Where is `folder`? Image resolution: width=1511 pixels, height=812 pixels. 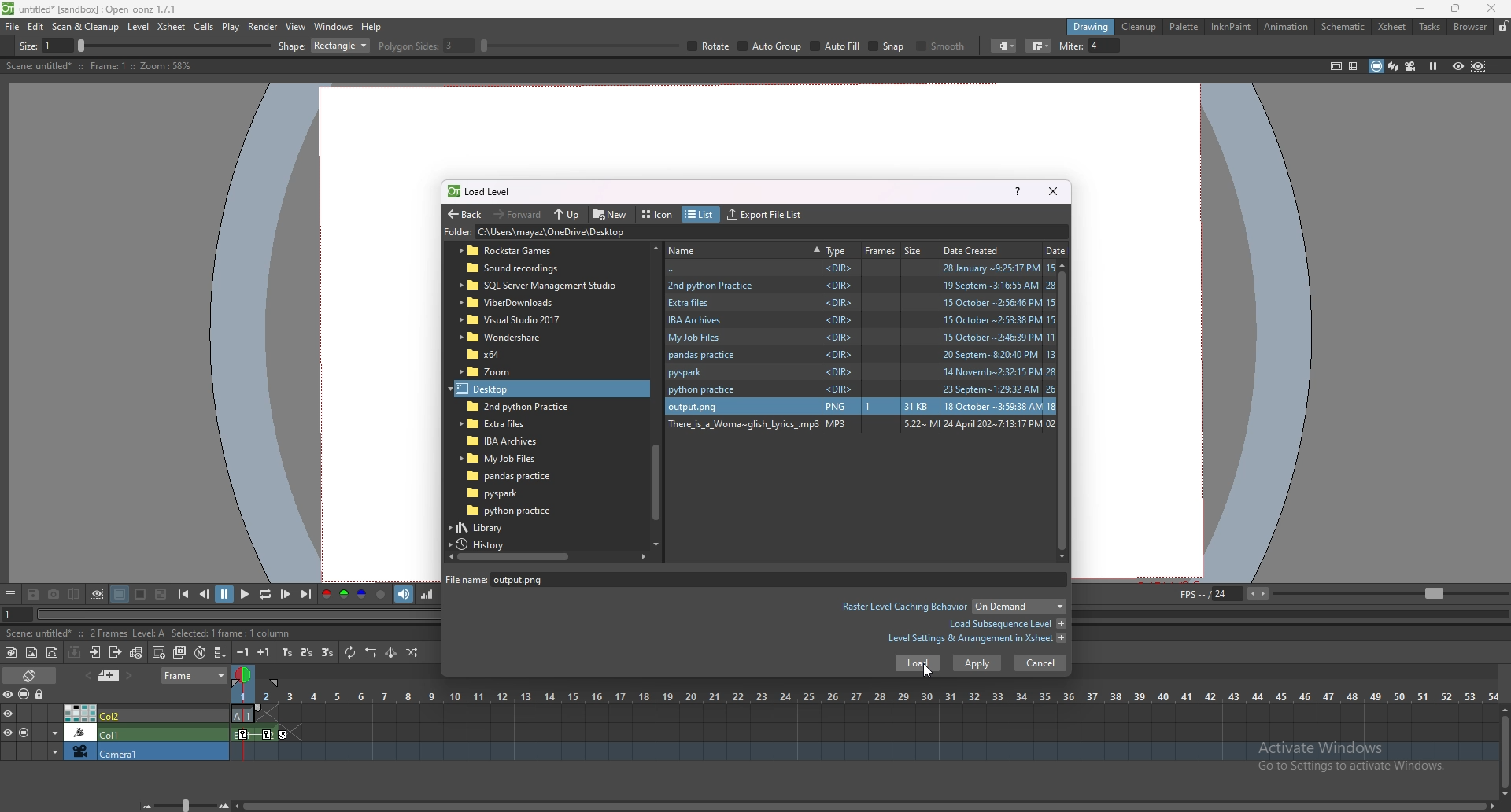
folder is located at coordinates (859, 426).